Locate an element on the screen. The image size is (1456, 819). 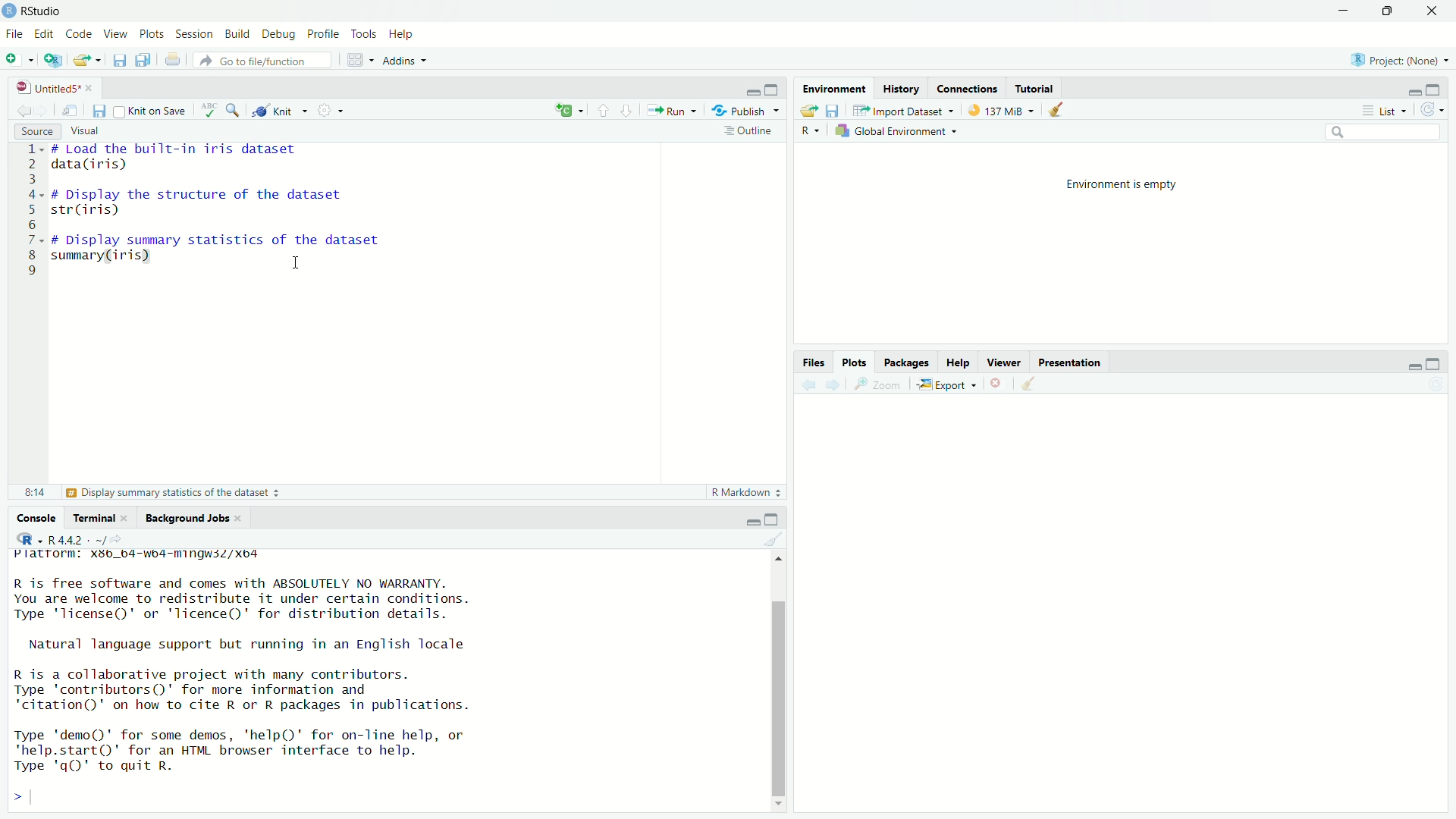
List is located at coordinates (1382, 109).